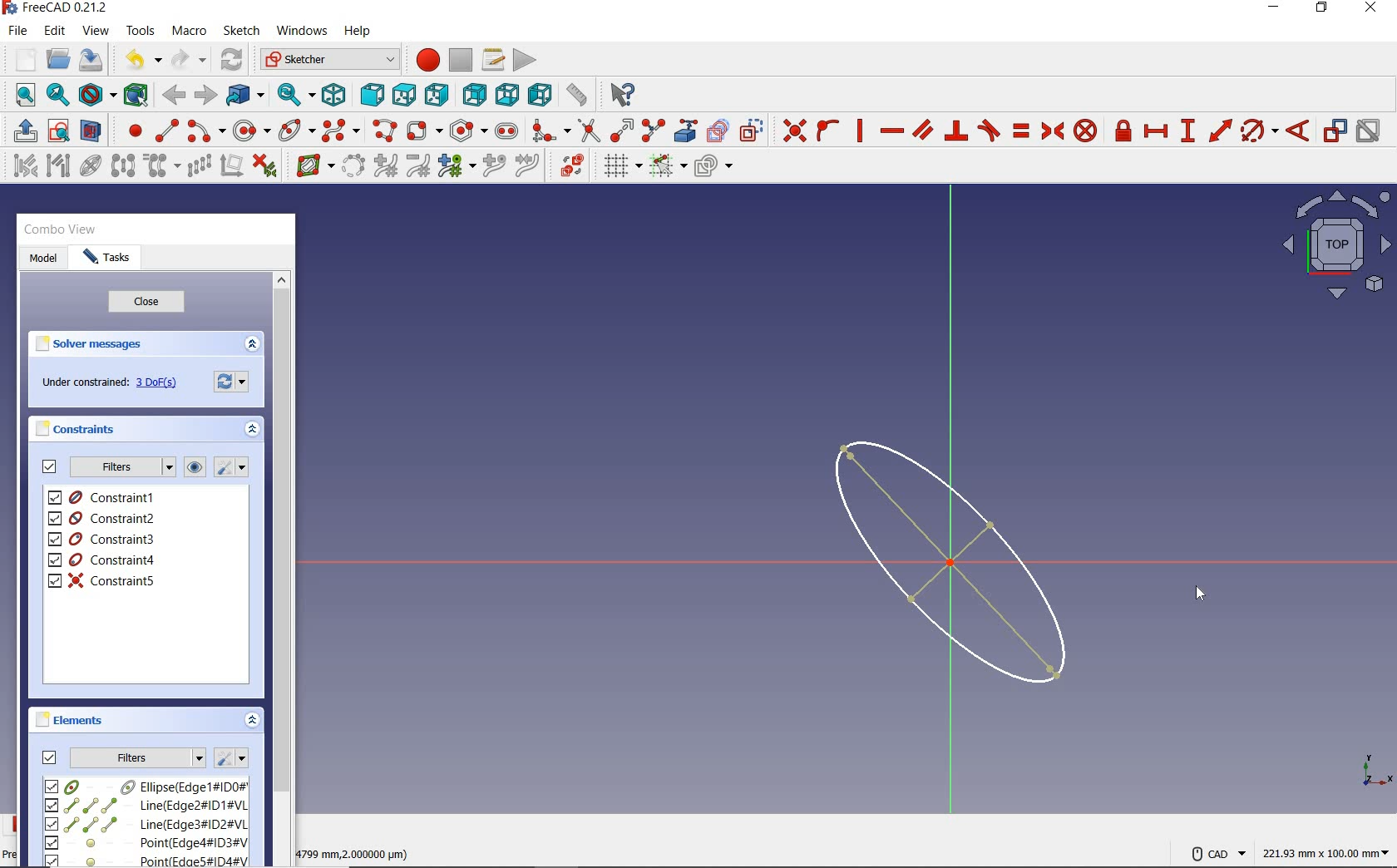  Describe the element at coordinates (146, 824) in the screenshot. I see `element3` at that location.